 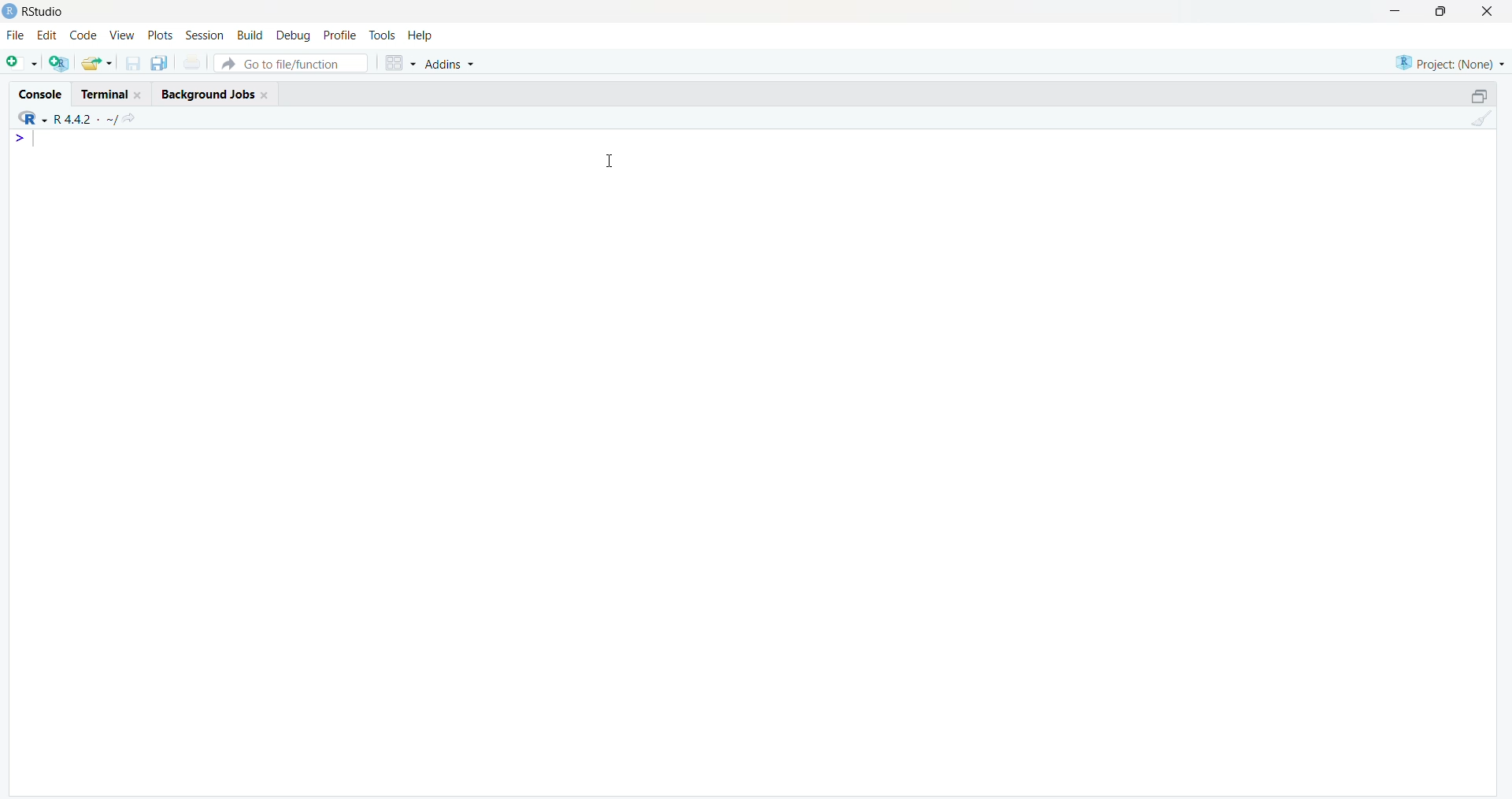 What do you see at coordinates (83, 35) in the screenshot?
I see `code` at bounding box center [83, 35].